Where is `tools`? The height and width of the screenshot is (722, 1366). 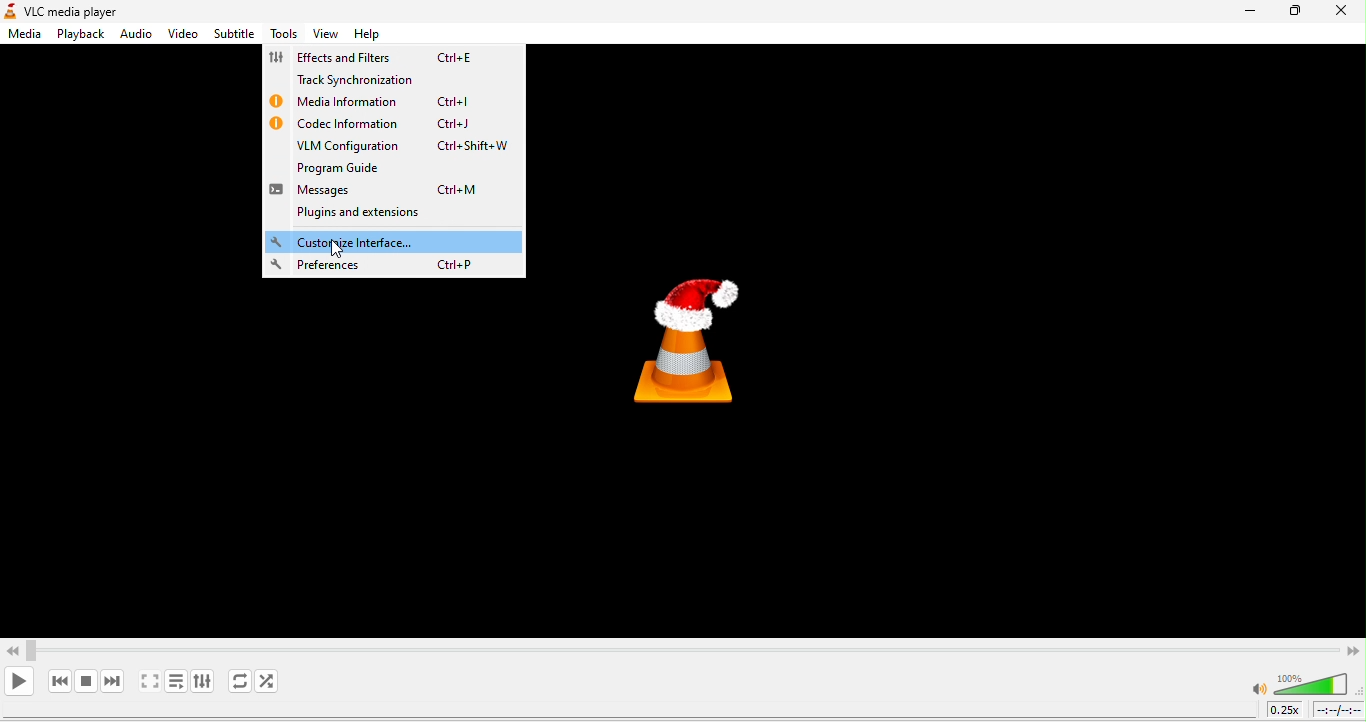 tools is located at coordinates (282, 35).